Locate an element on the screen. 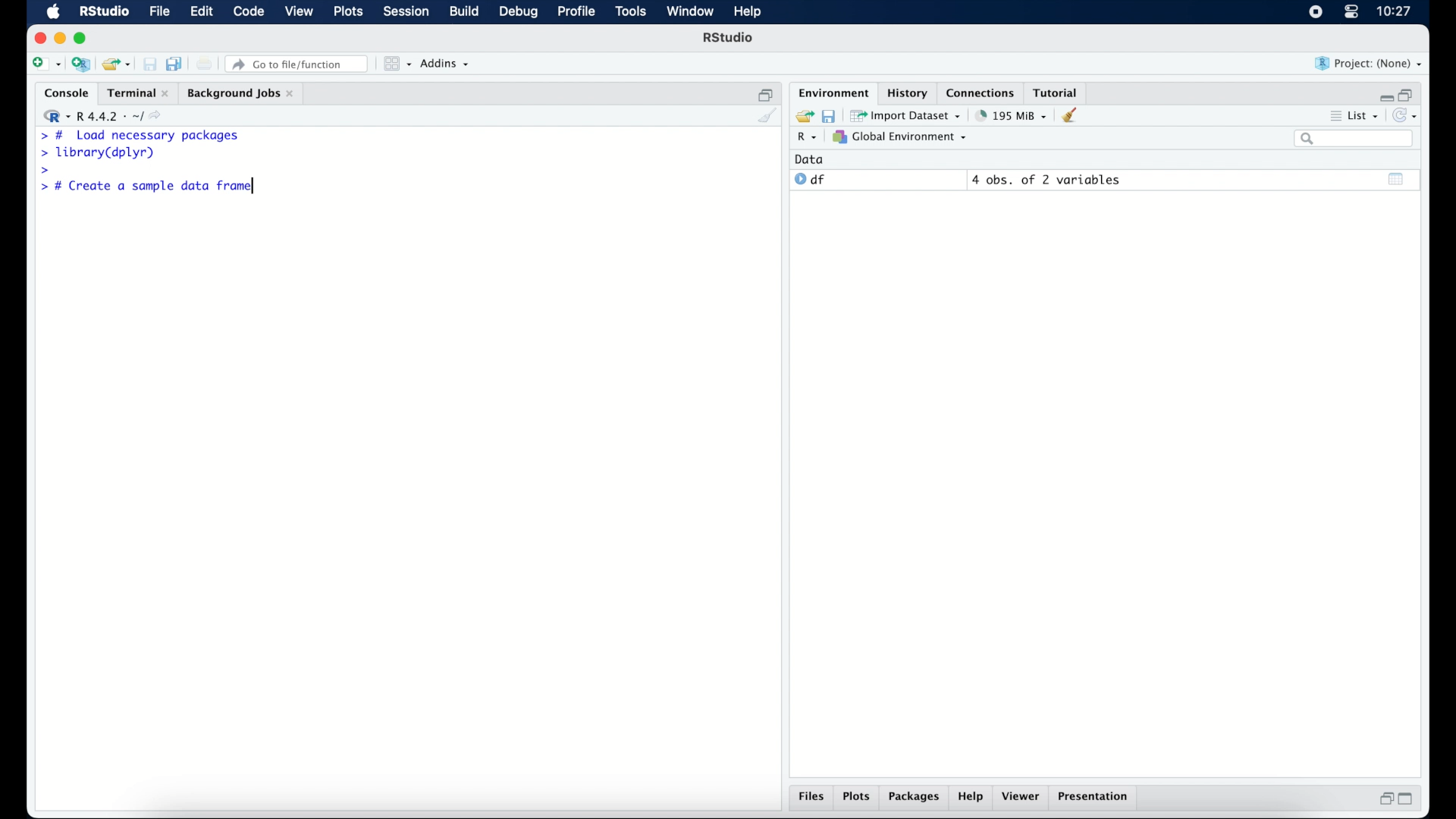 Image resolution: width=1456 pixels, height=819 pixels. 195 MB is located at coordinates (1010, 115).